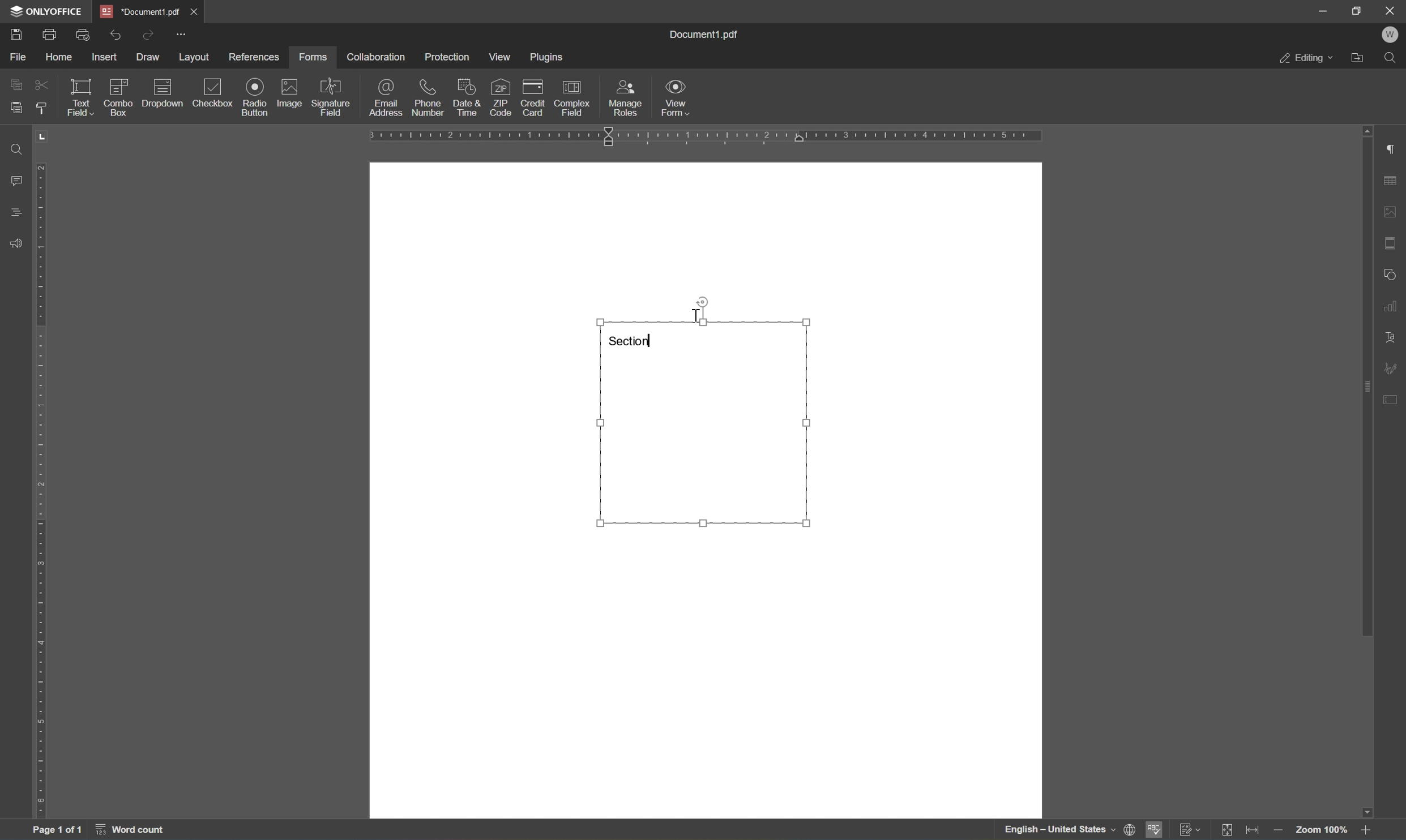 The height and width of the screenshot is (840, 1406). What do you see at coordinates (500, 97) in the screenshot?
I see `zip code` at bounding box center [500, 97].